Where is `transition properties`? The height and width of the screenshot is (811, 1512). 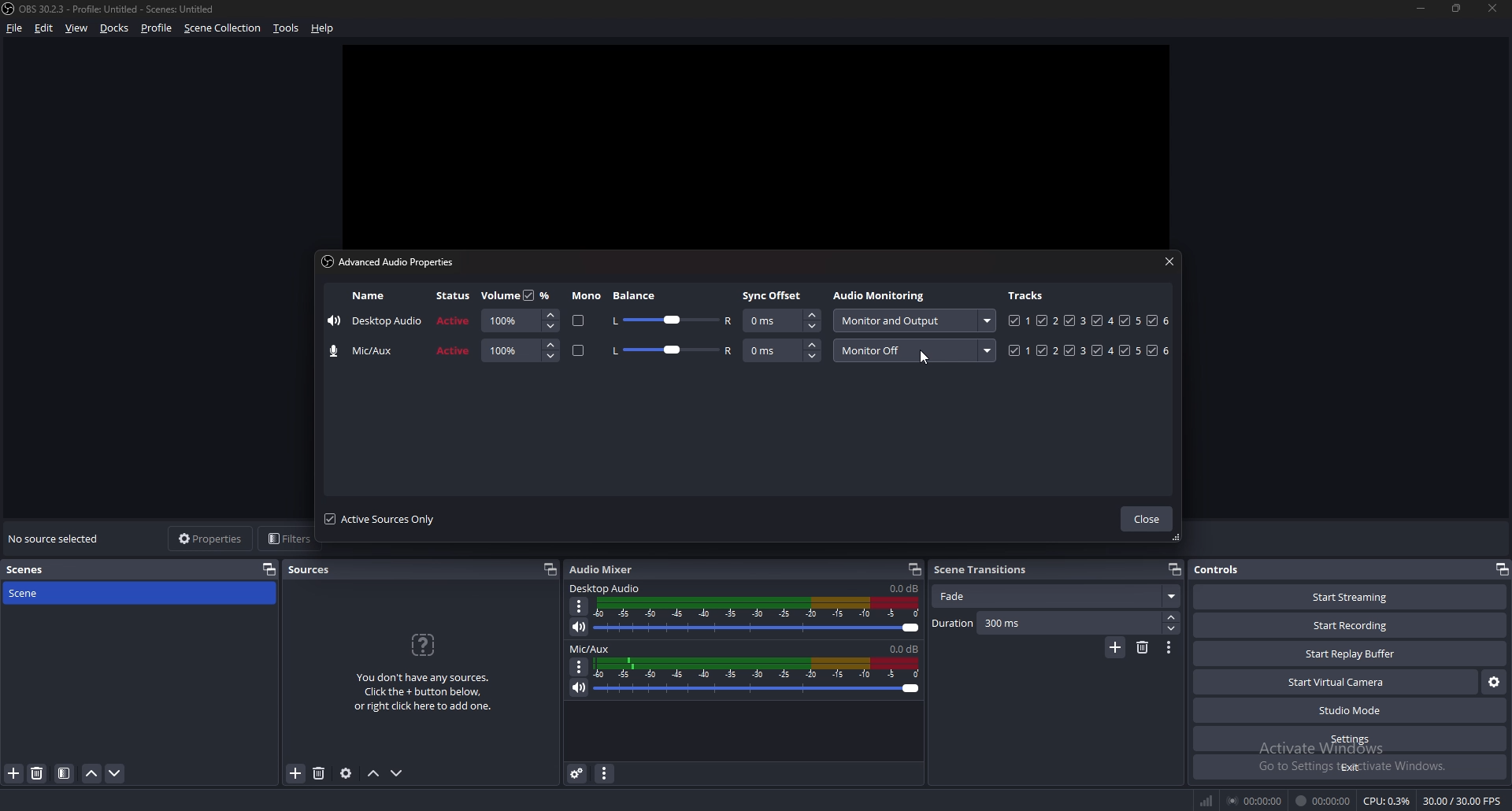 transition properties is located at coordinates (1169, 649).